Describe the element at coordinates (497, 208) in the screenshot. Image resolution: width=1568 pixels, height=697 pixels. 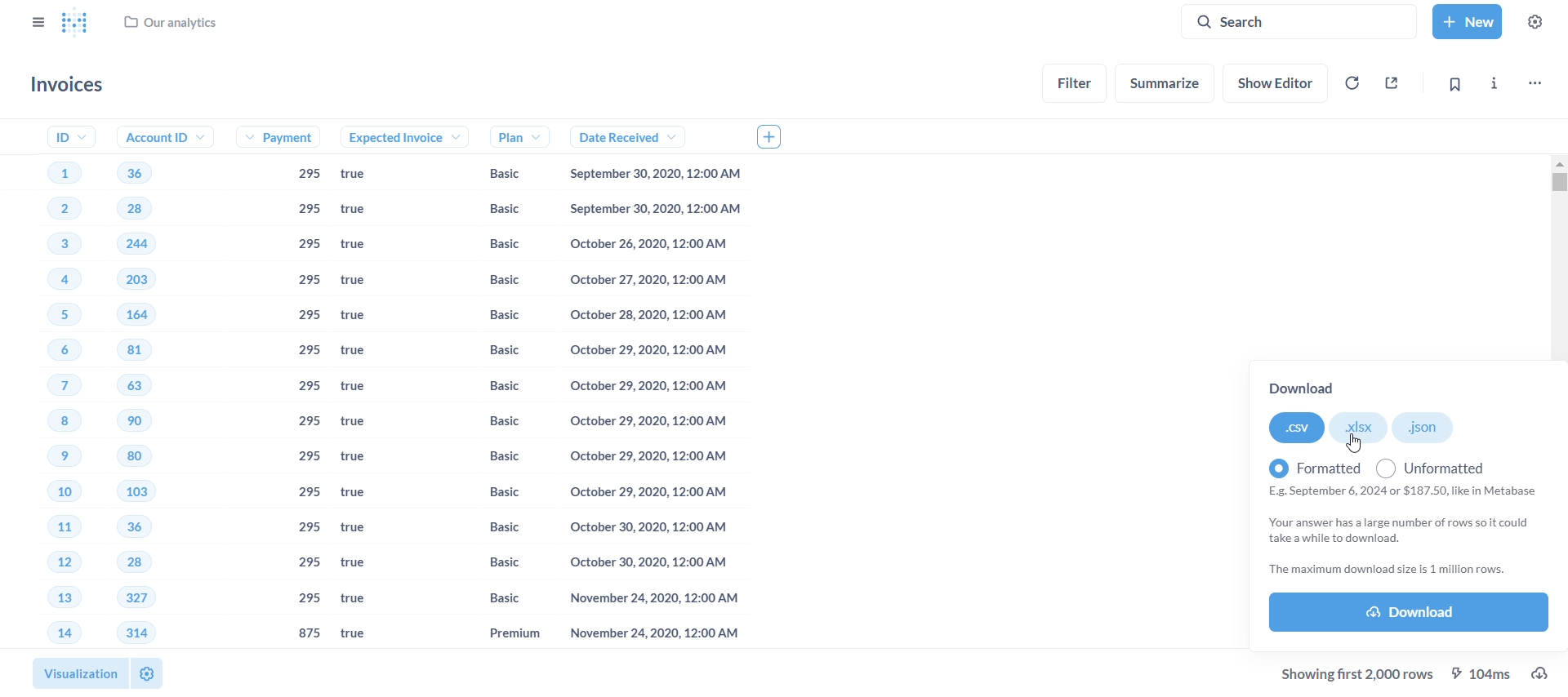
I see `Basic` at that location.